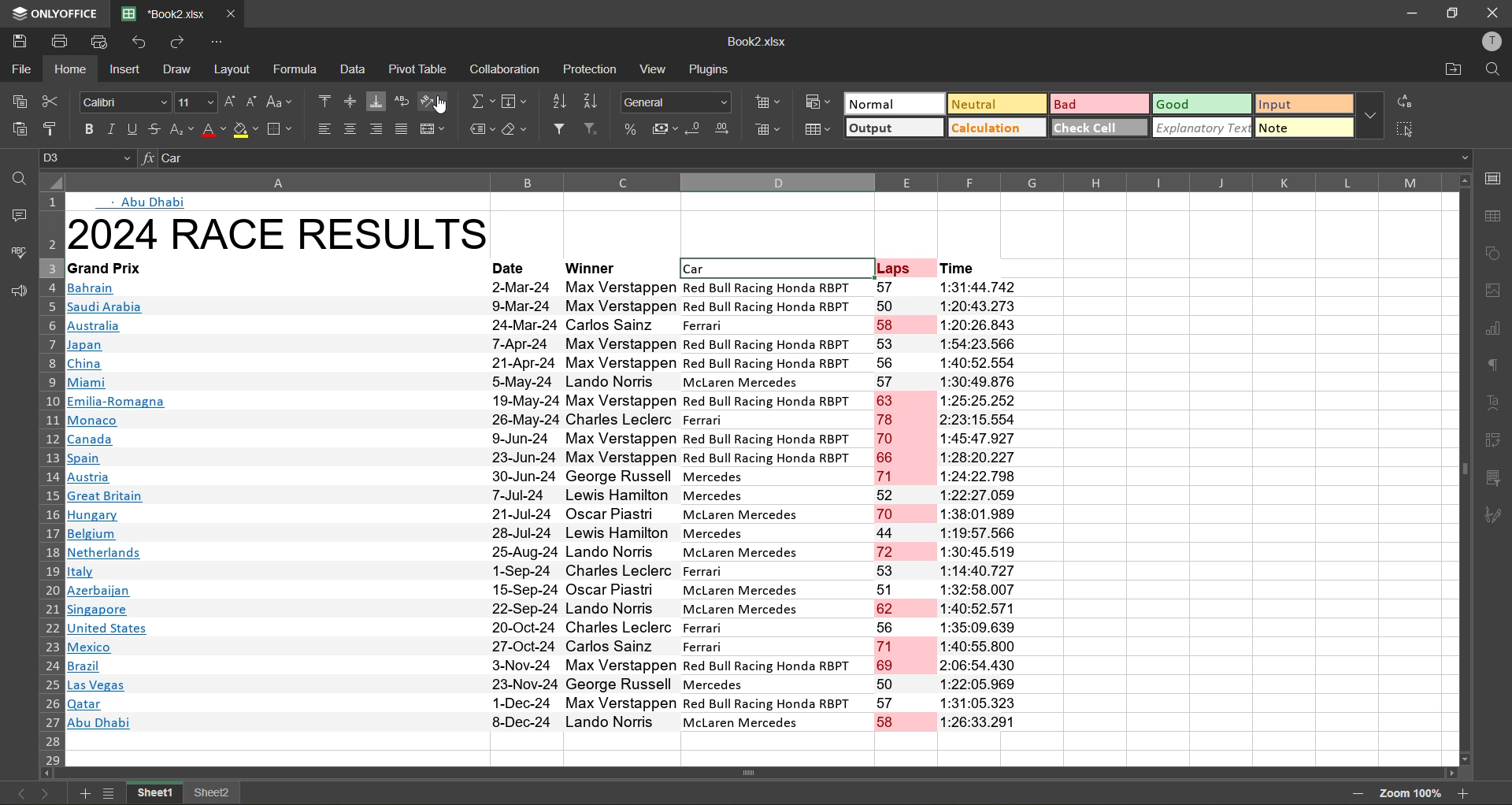  What do you see at coordinates (895, 102) in the screenshot?
I see `normal` at bounding box center [895, 102].